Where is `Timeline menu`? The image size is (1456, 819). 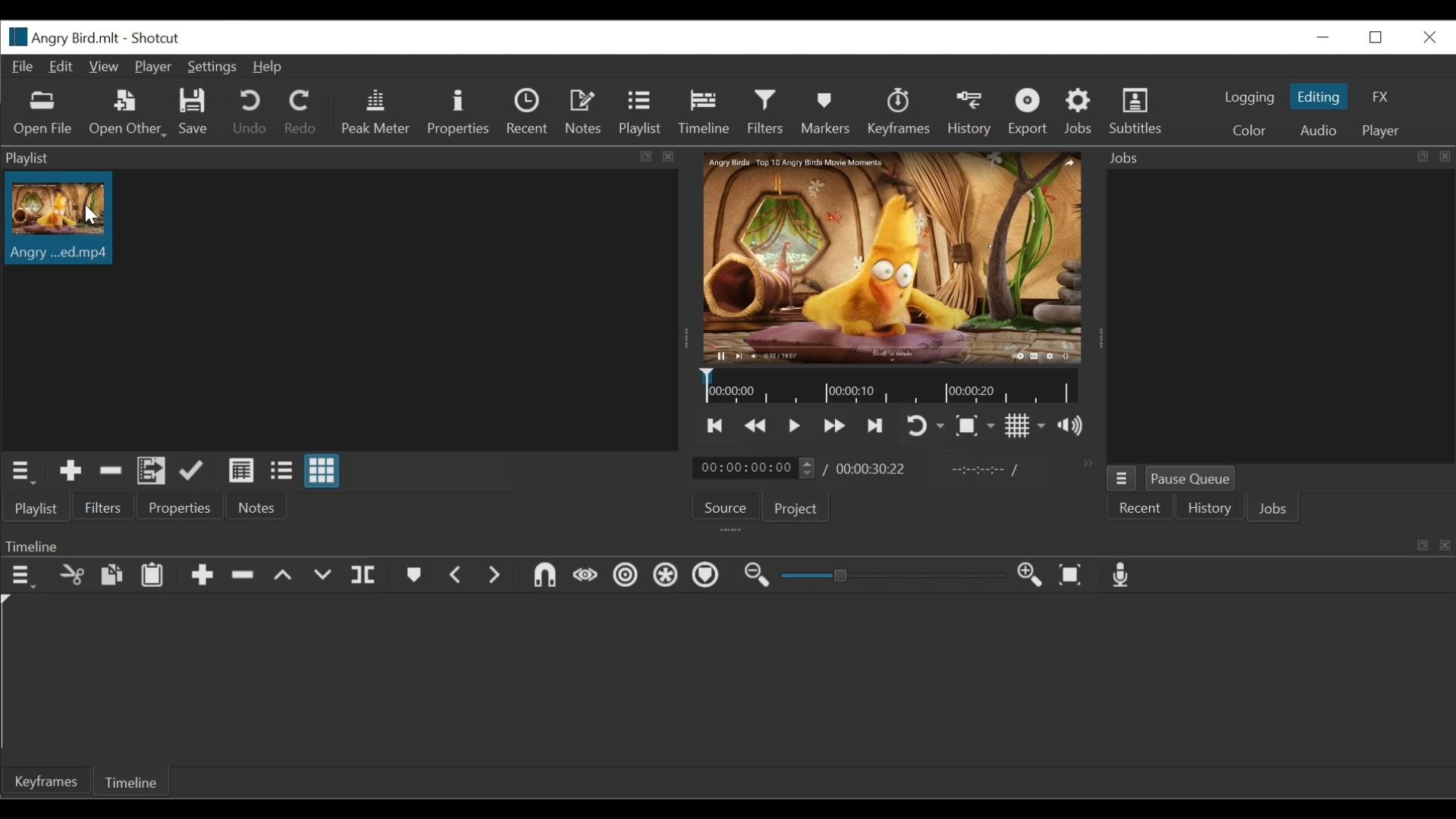
Timeline menu is located at coordinates (21, 577).